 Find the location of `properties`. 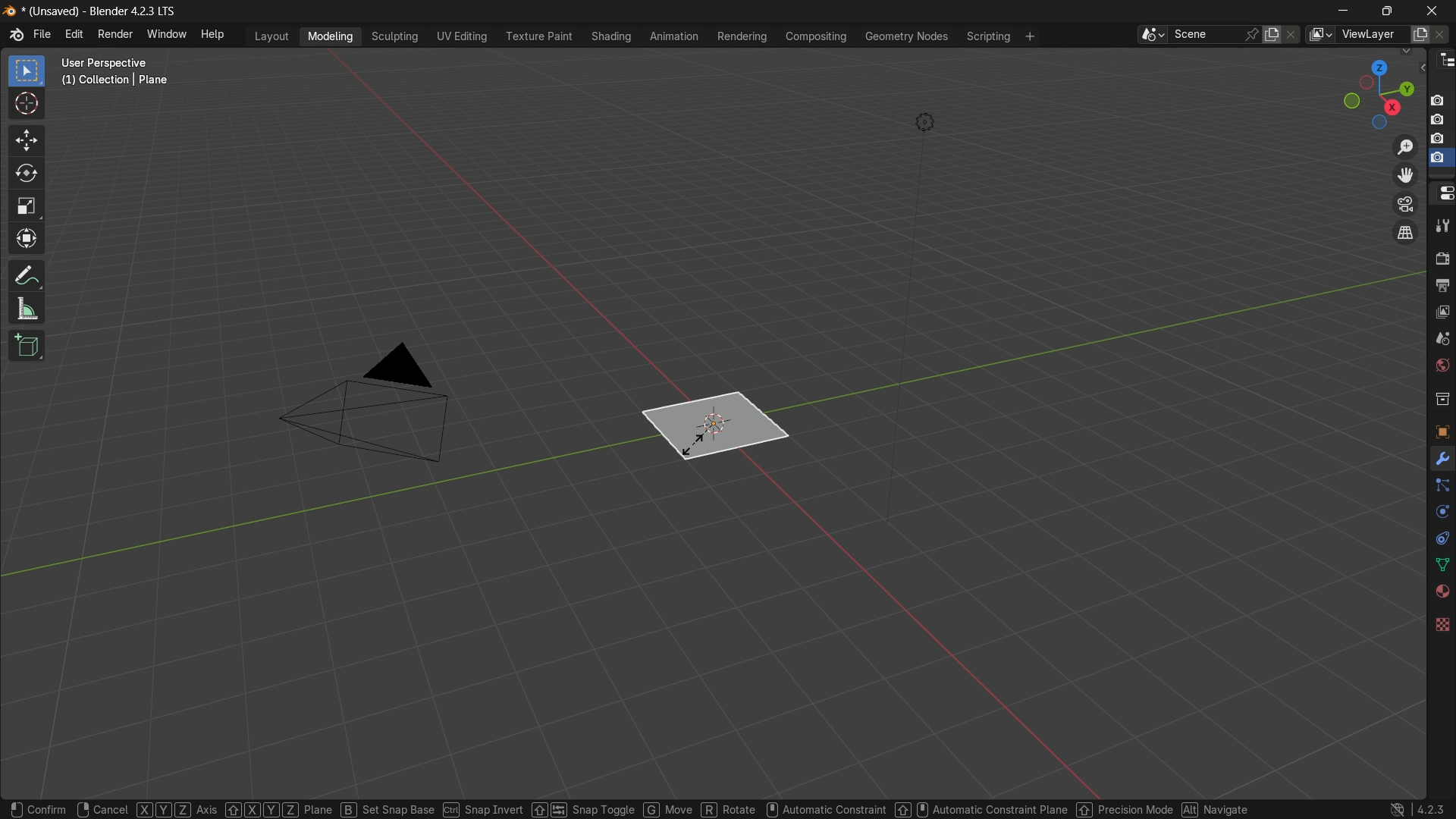

properties is located at coordinates (1443, 191).